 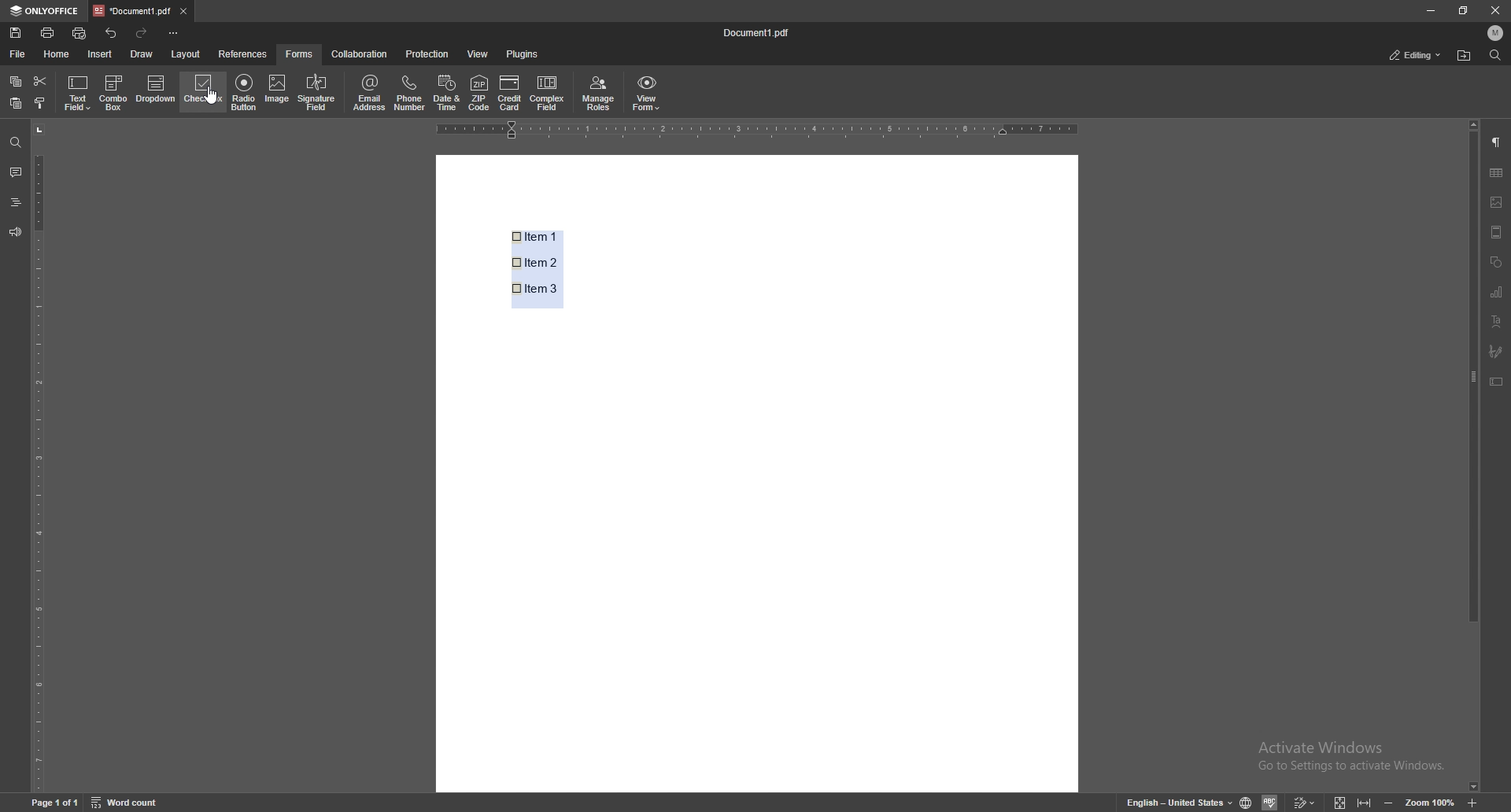 What do you see at coordinates (300, 54) in the screenshot?
I see `forms` at bounding box center [300, 54].